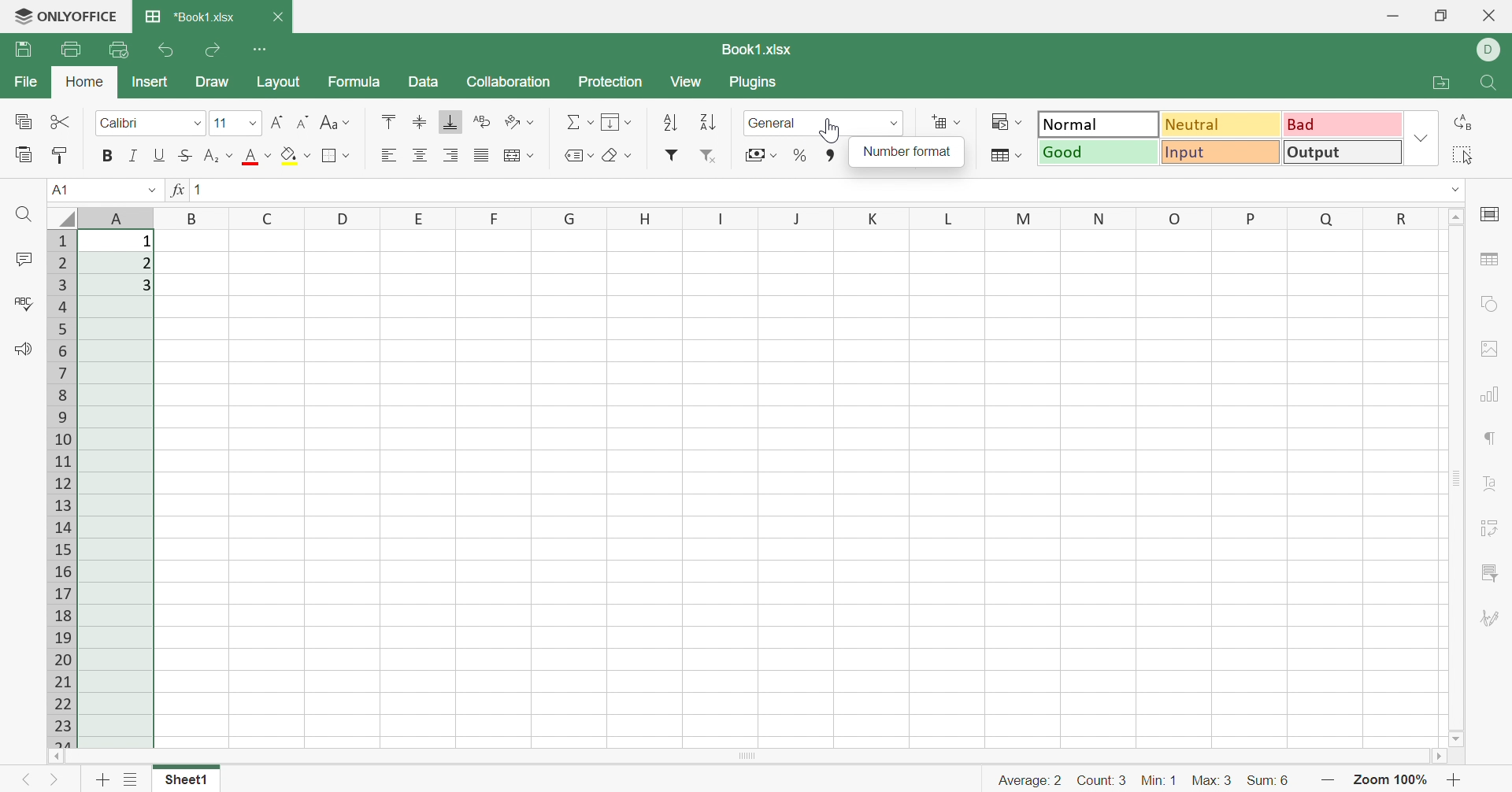  Describe the element at coordinates (1491, 16) in the screenshot. I see `Close` at that location.